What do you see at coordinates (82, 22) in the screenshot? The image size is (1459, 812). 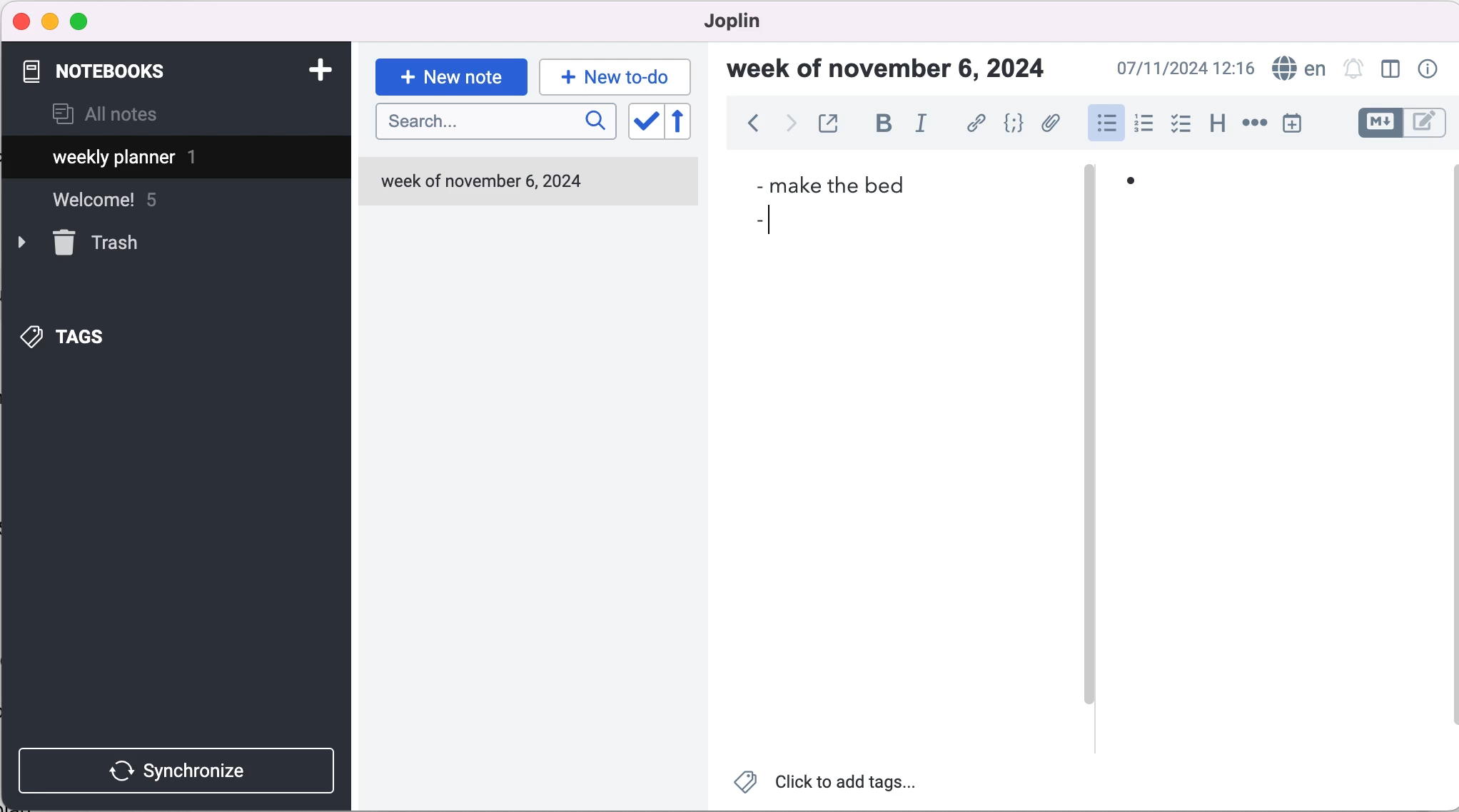 I see `maximize` at bounding box center [82, 22].